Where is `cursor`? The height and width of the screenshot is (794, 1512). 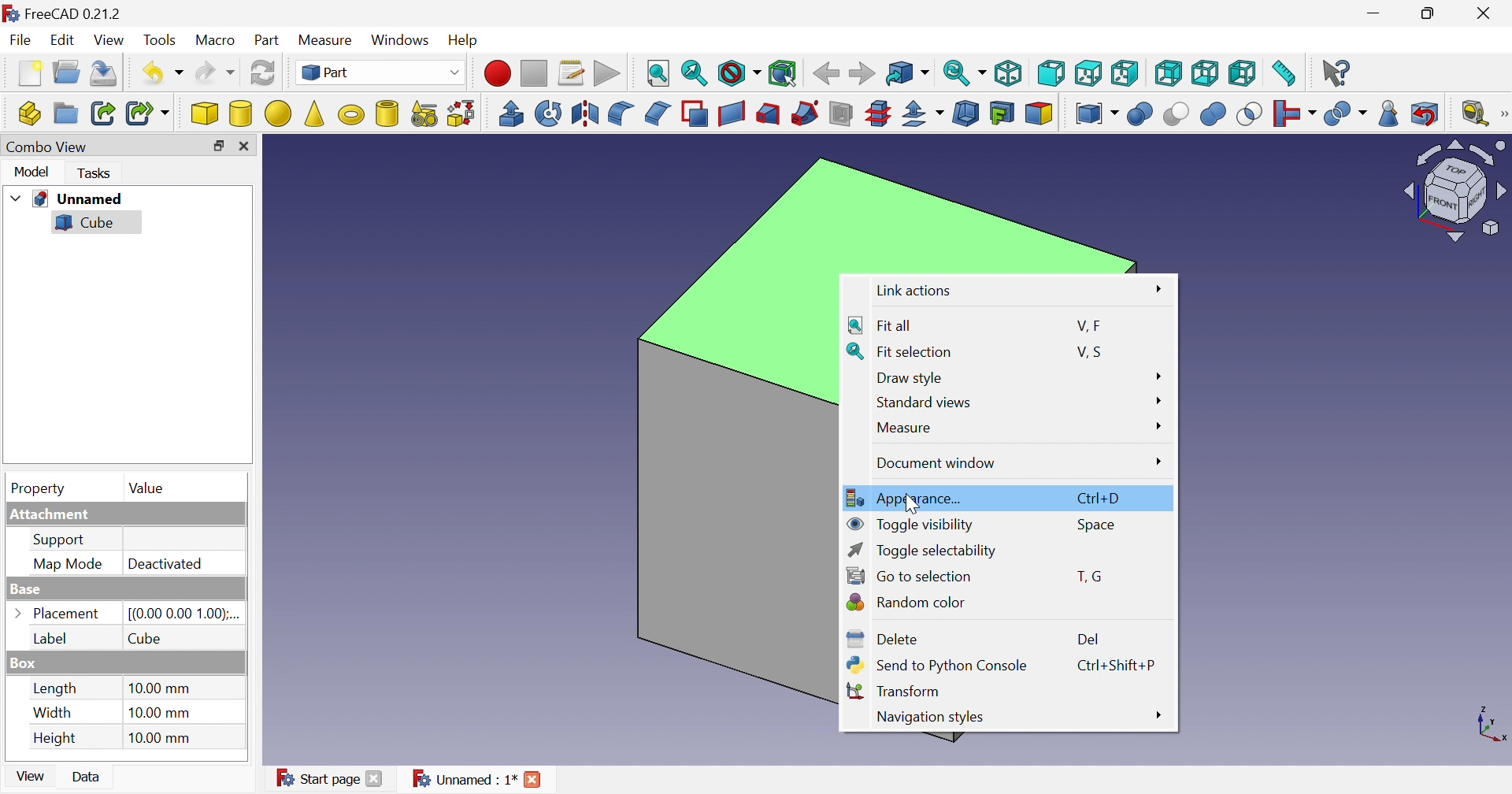 cursor is located at coordinates (910, 501).